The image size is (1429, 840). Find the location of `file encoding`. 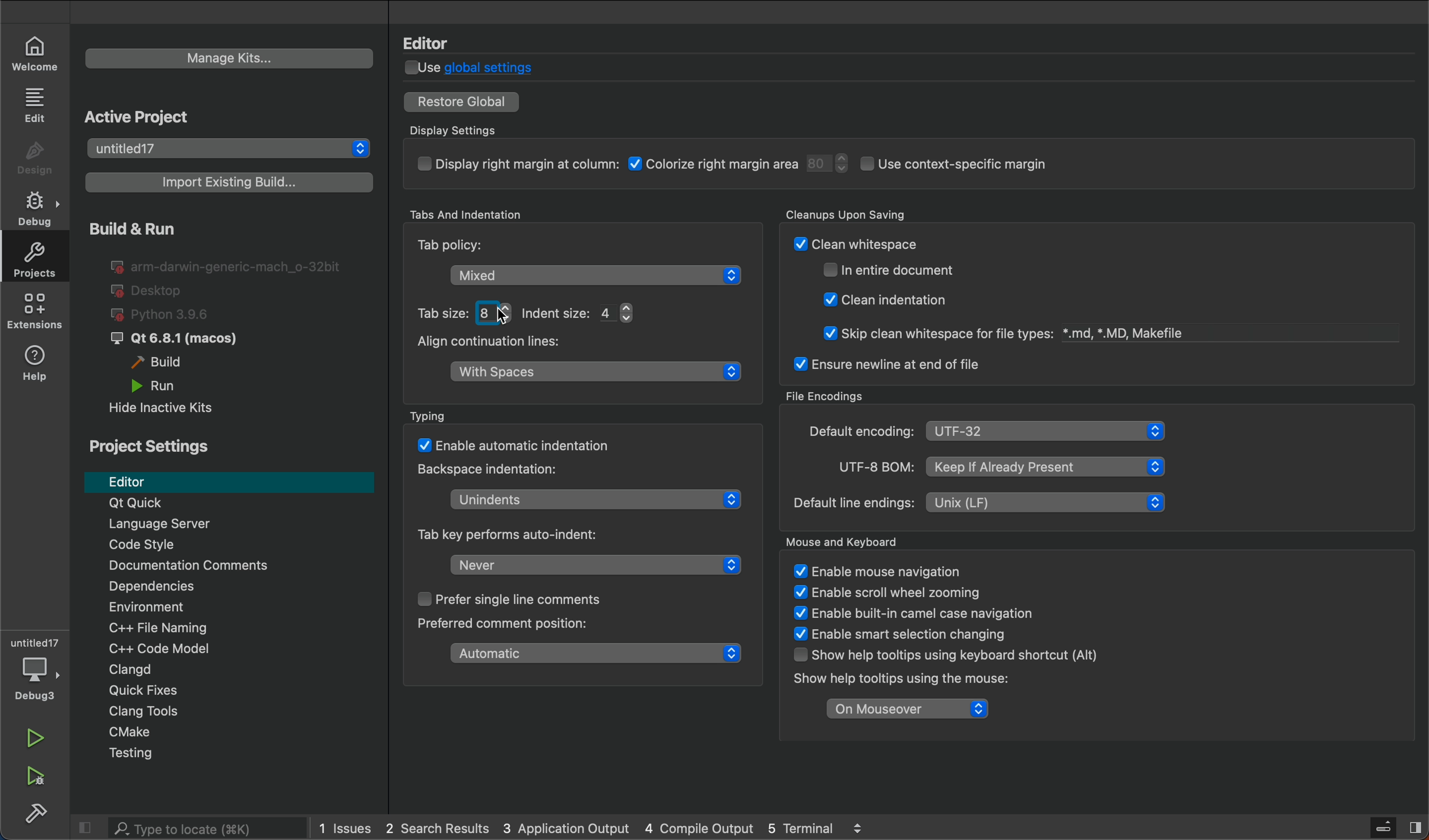

file encoding is located at coordinates (1081, 429).